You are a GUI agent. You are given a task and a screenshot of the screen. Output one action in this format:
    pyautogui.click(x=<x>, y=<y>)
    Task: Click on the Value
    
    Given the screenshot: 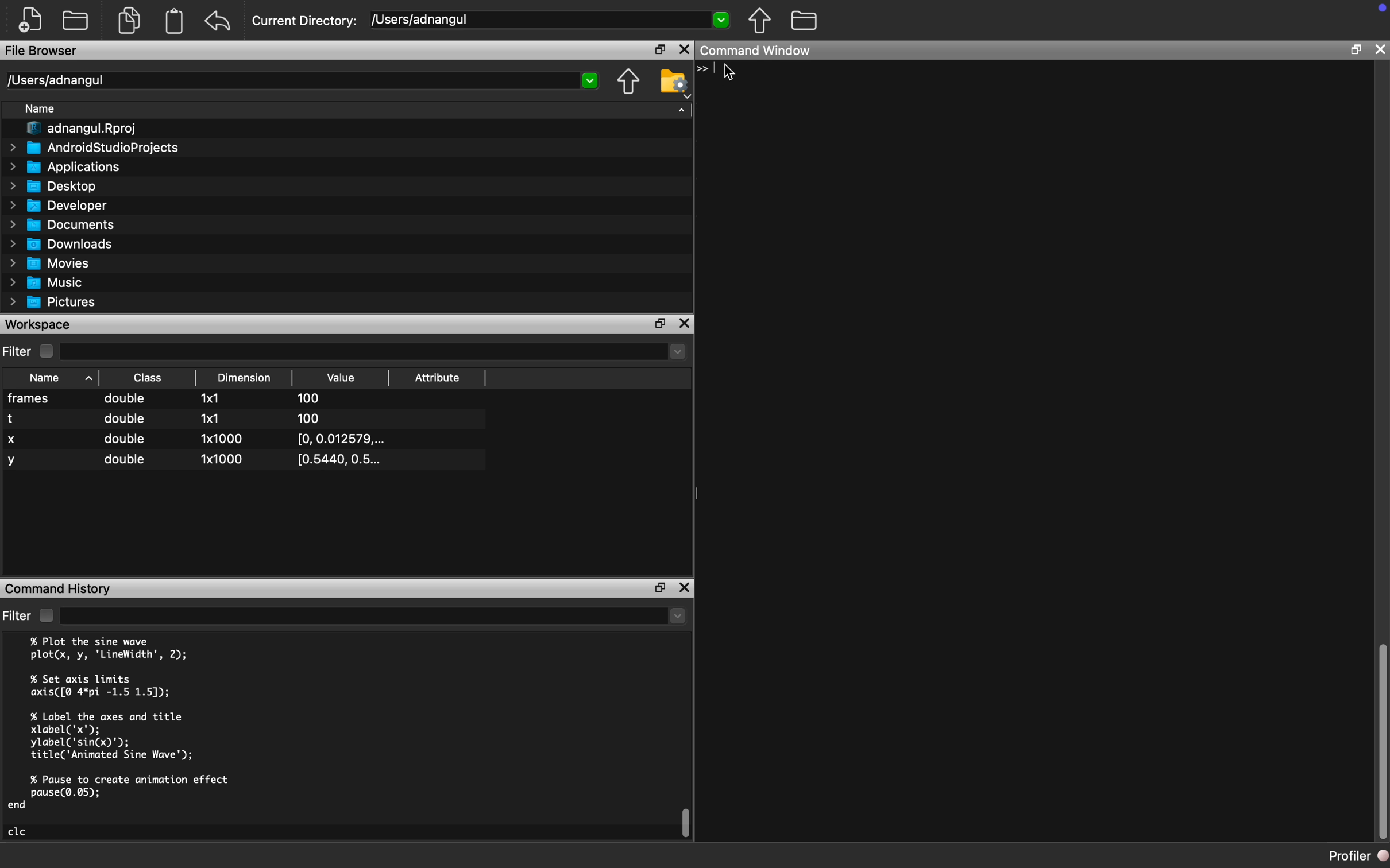 What is the action you would take?
    pyautogui.click(x=341, y=378)
    